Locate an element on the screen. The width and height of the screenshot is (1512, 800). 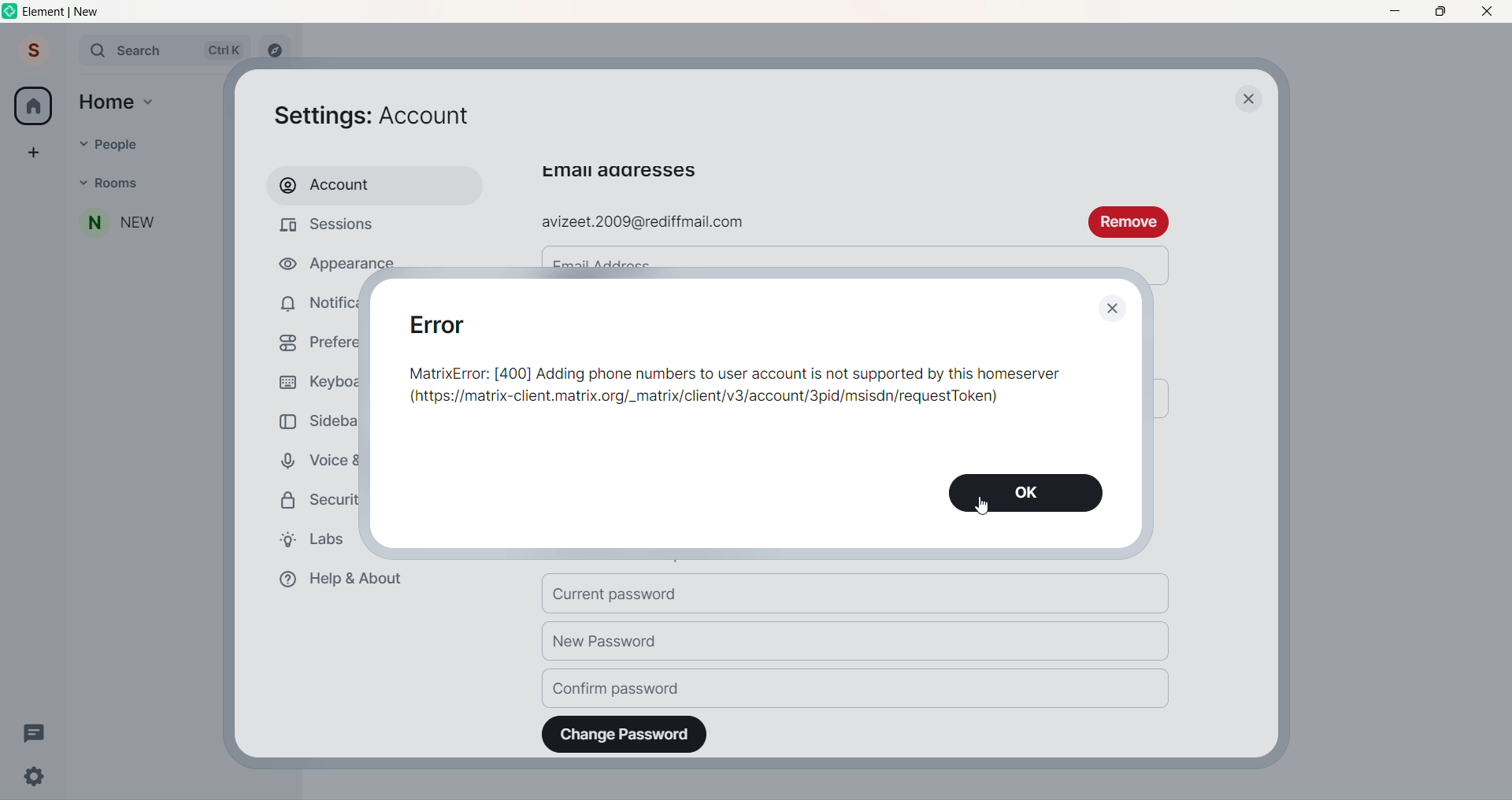
Expand is located at coordinates (66, 52).